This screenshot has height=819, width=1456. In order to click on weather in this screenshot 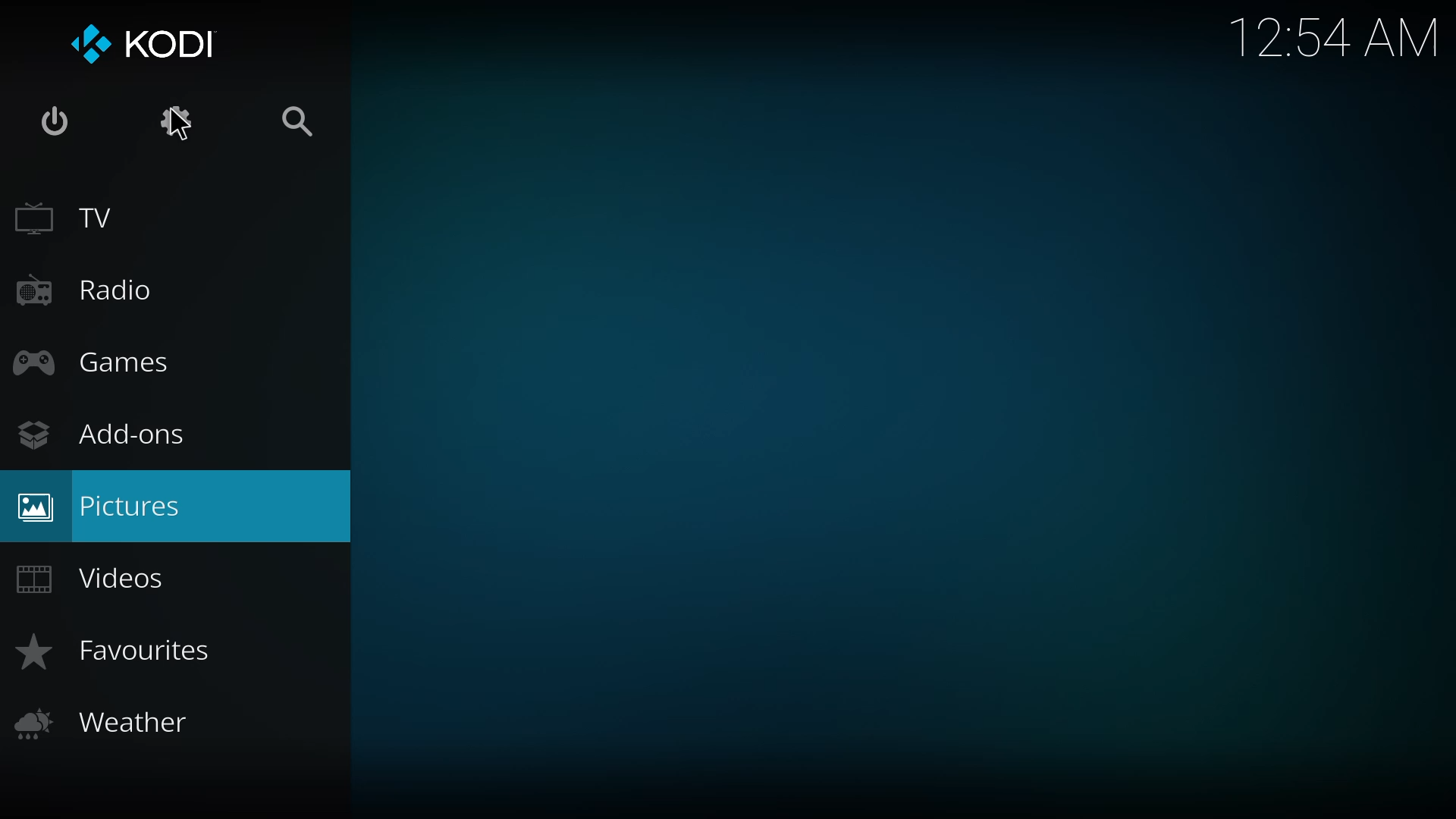, I will do `click(105, 720)`.